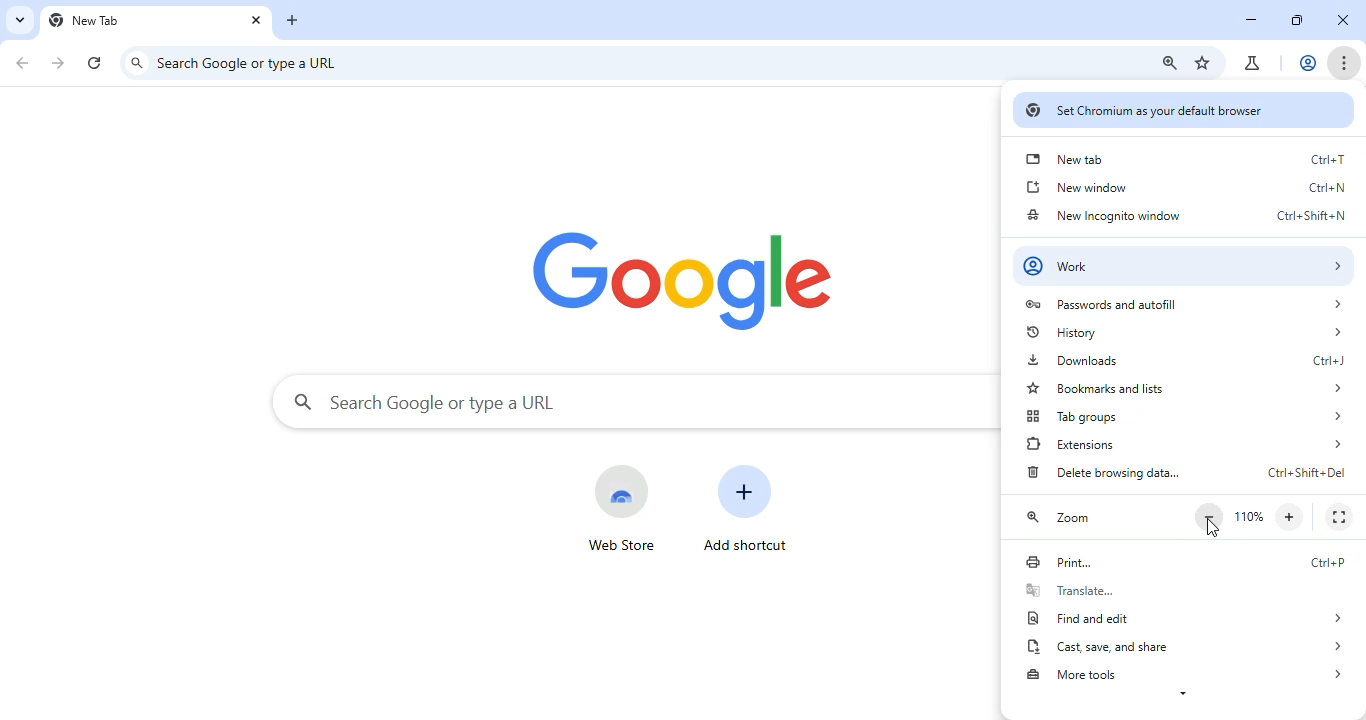  Describe the element at coordinates (1182, 697) in the screenshot. I see `expand` at that location.